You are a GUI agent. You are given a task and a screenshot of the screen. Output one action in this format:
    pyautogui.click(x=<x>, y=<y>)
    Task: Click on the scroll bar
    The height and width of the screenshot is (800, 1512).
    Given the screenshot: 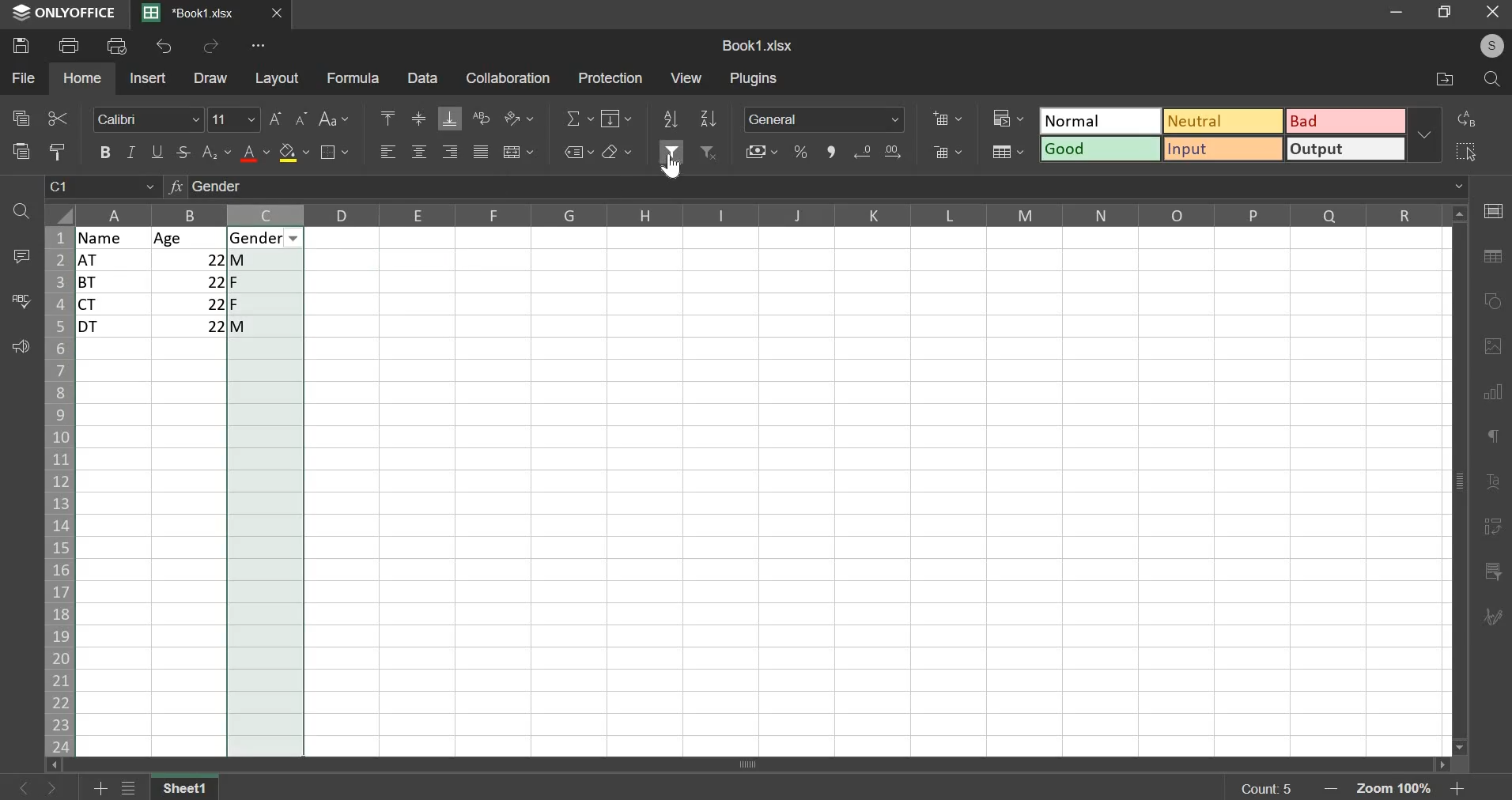 What is the action you would take?
    pyautogui.click(x=764, y=764)
    